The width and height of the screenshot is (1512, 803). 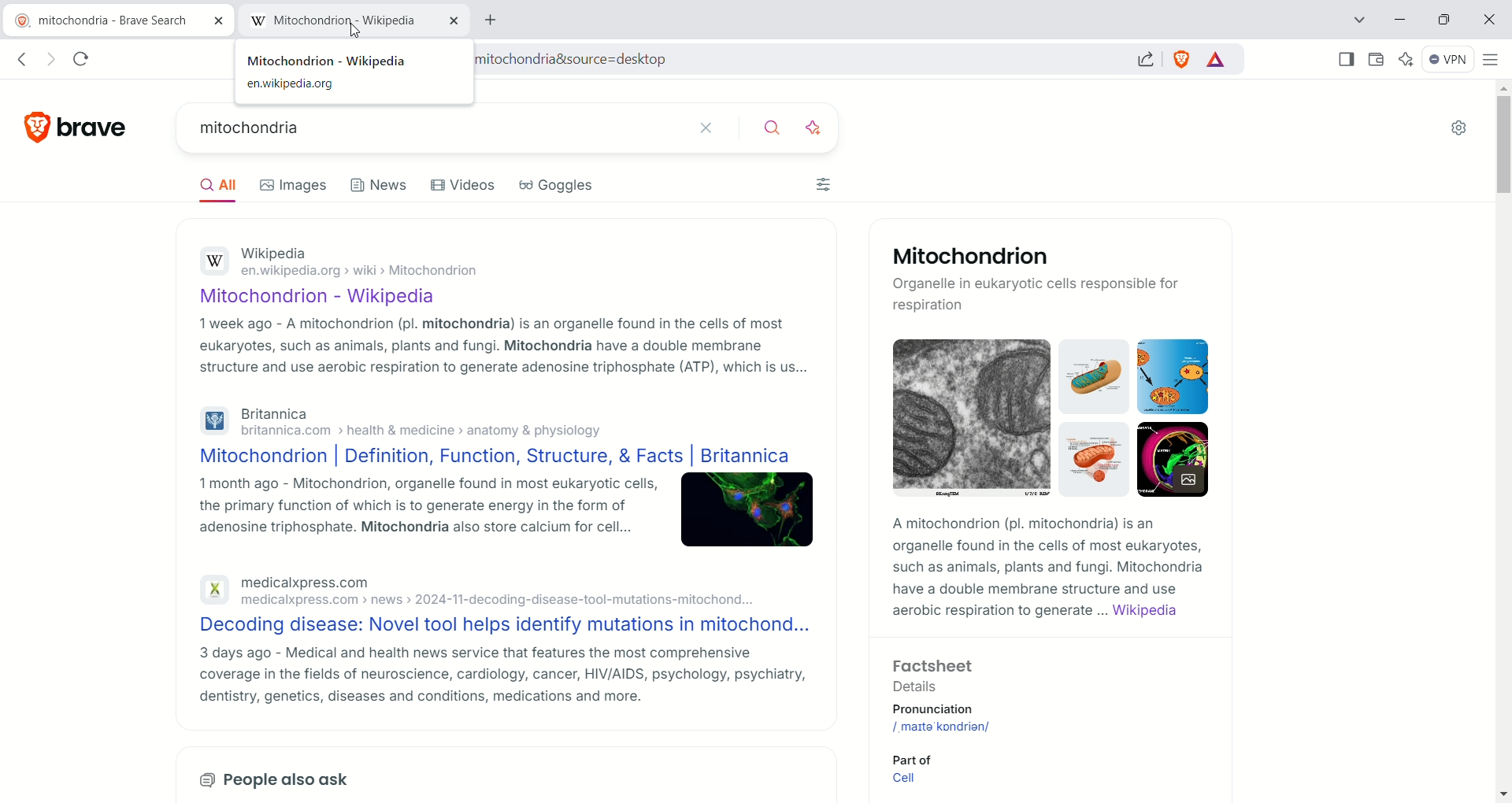 I want to click on mitochondrion, so click(x=940, y=727).